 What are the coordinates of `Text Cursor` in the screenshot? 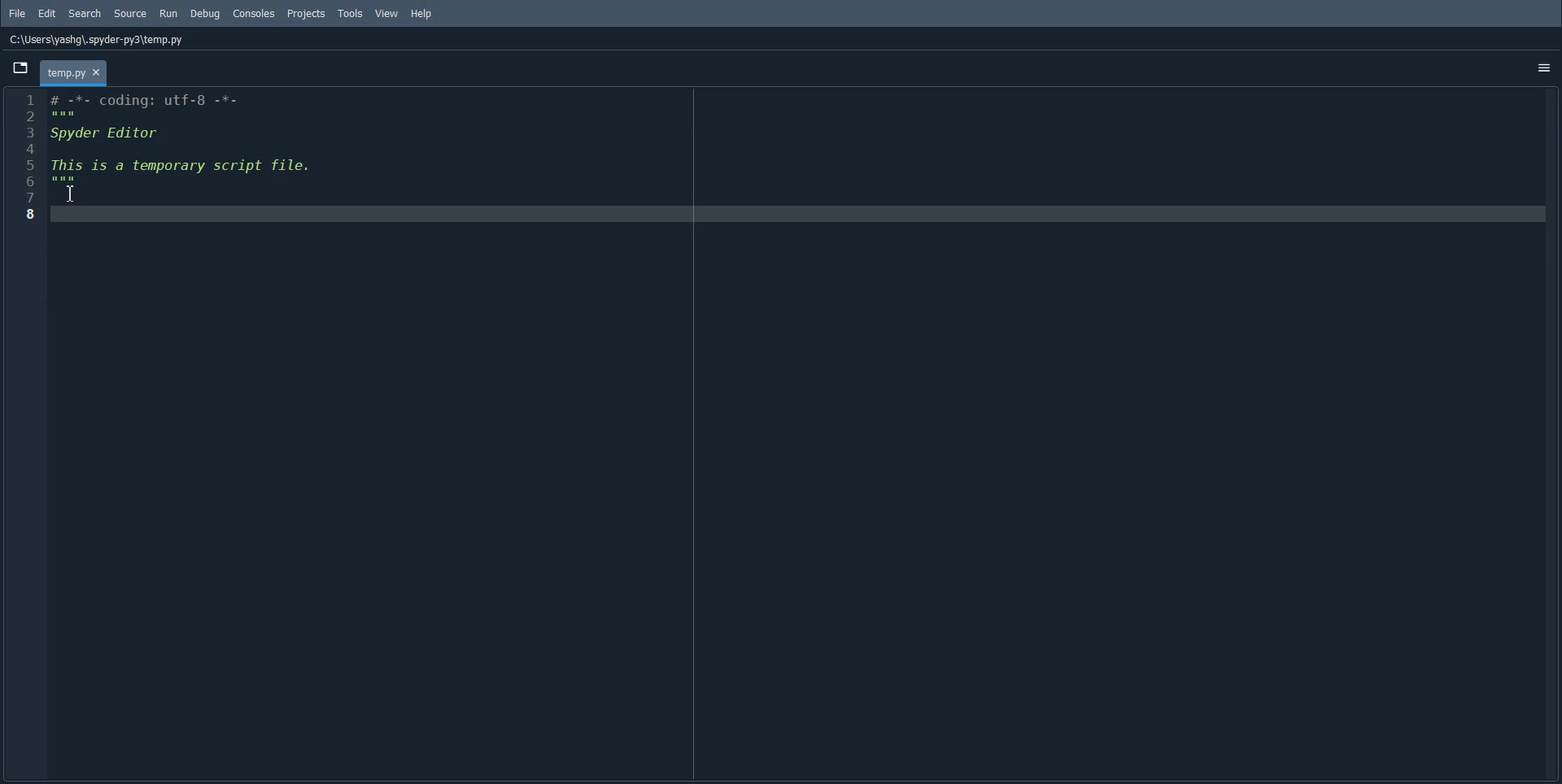 It's located at (72, 193).